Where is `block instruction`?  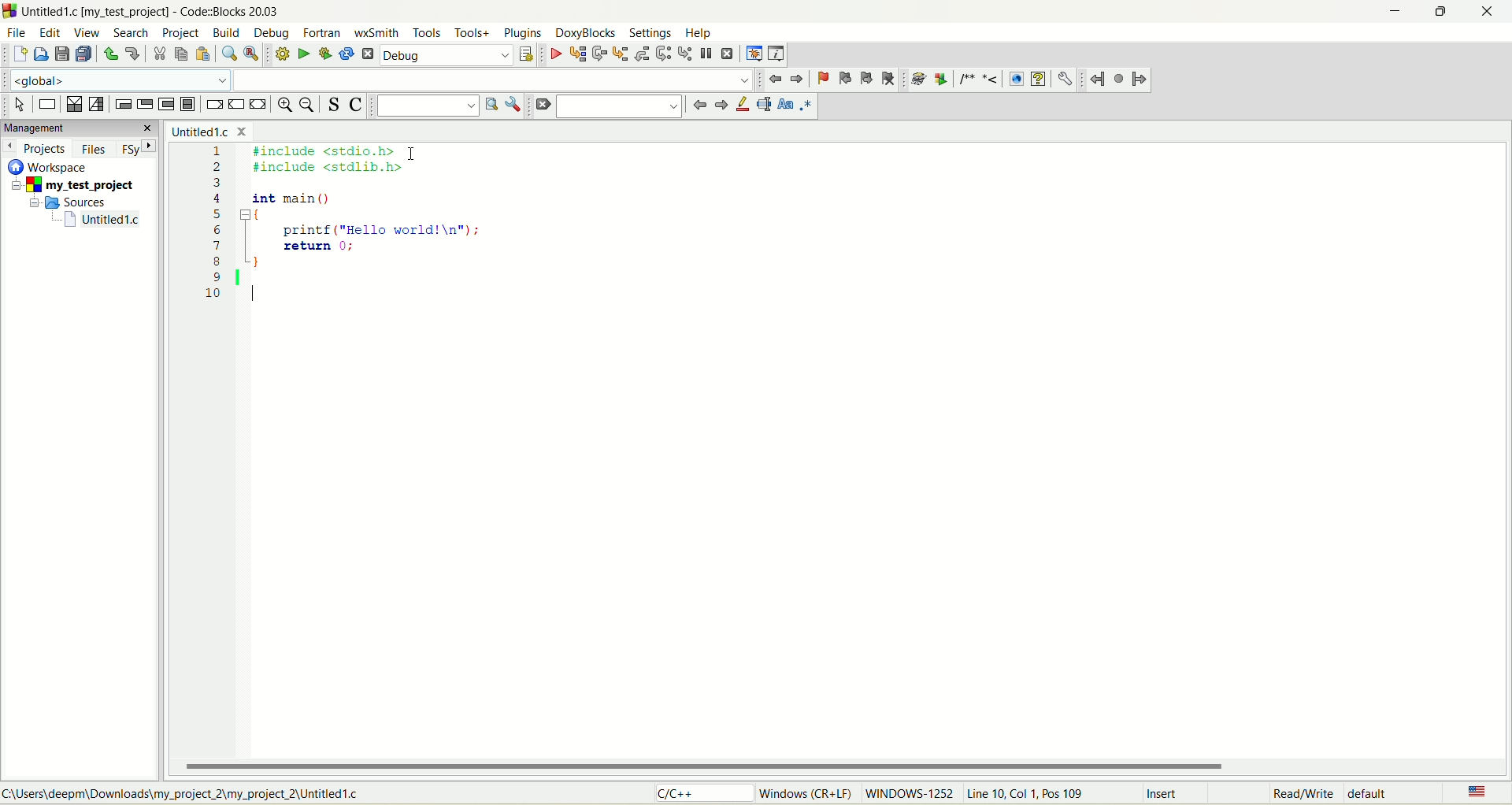
block instruction is located at coordinates (189, 104).